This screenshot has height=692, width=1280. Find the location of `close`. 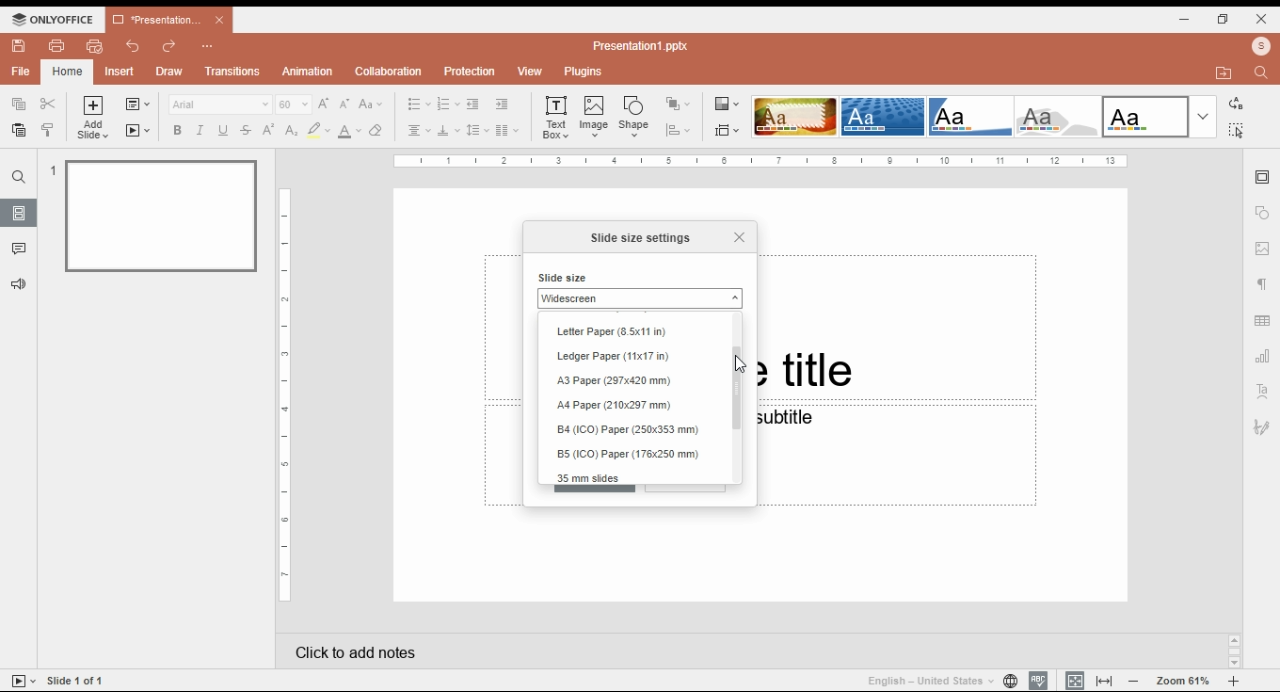

close is located at coordinates (1262, 18).